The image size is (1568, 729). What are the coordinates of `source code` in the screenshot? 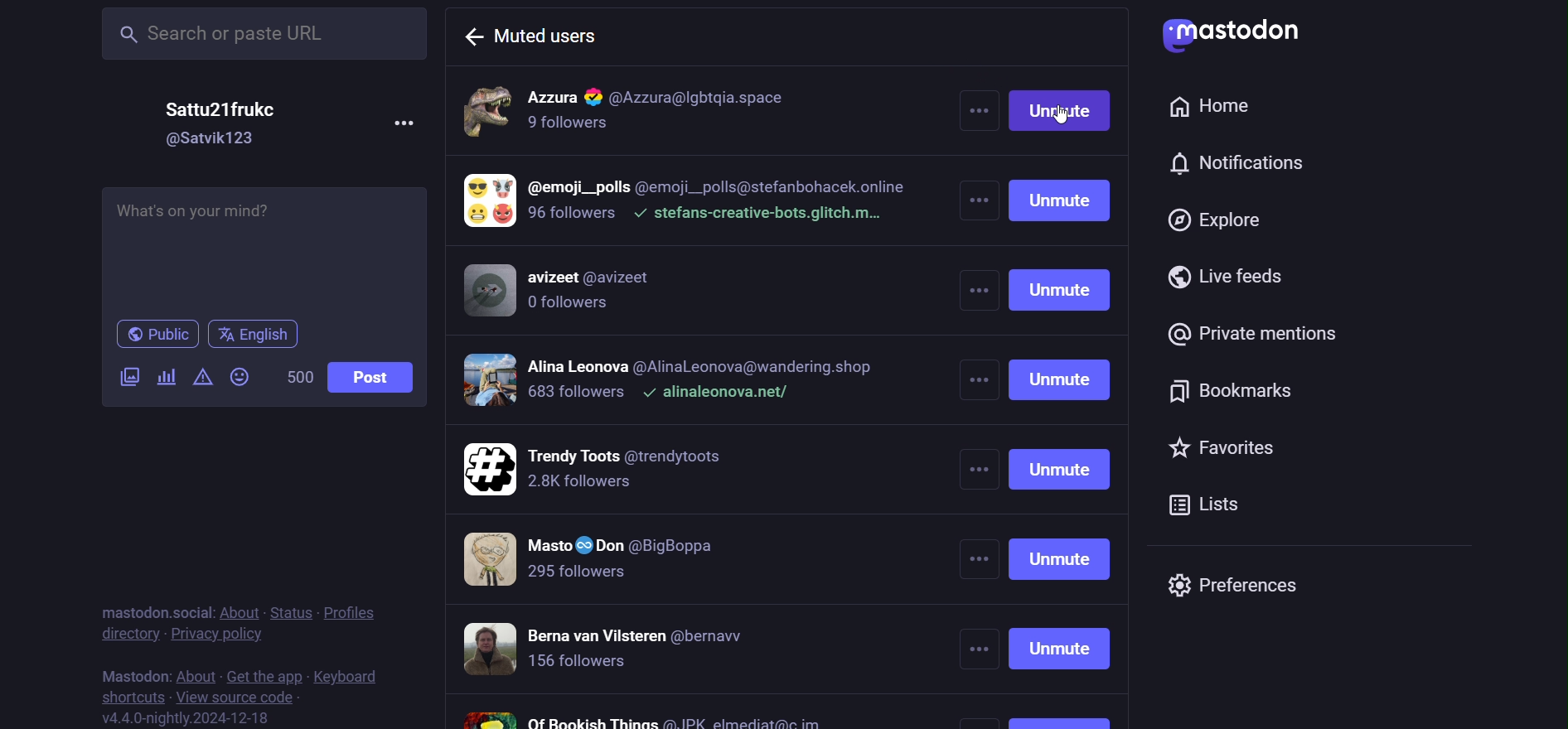 It's located at (241, 698).